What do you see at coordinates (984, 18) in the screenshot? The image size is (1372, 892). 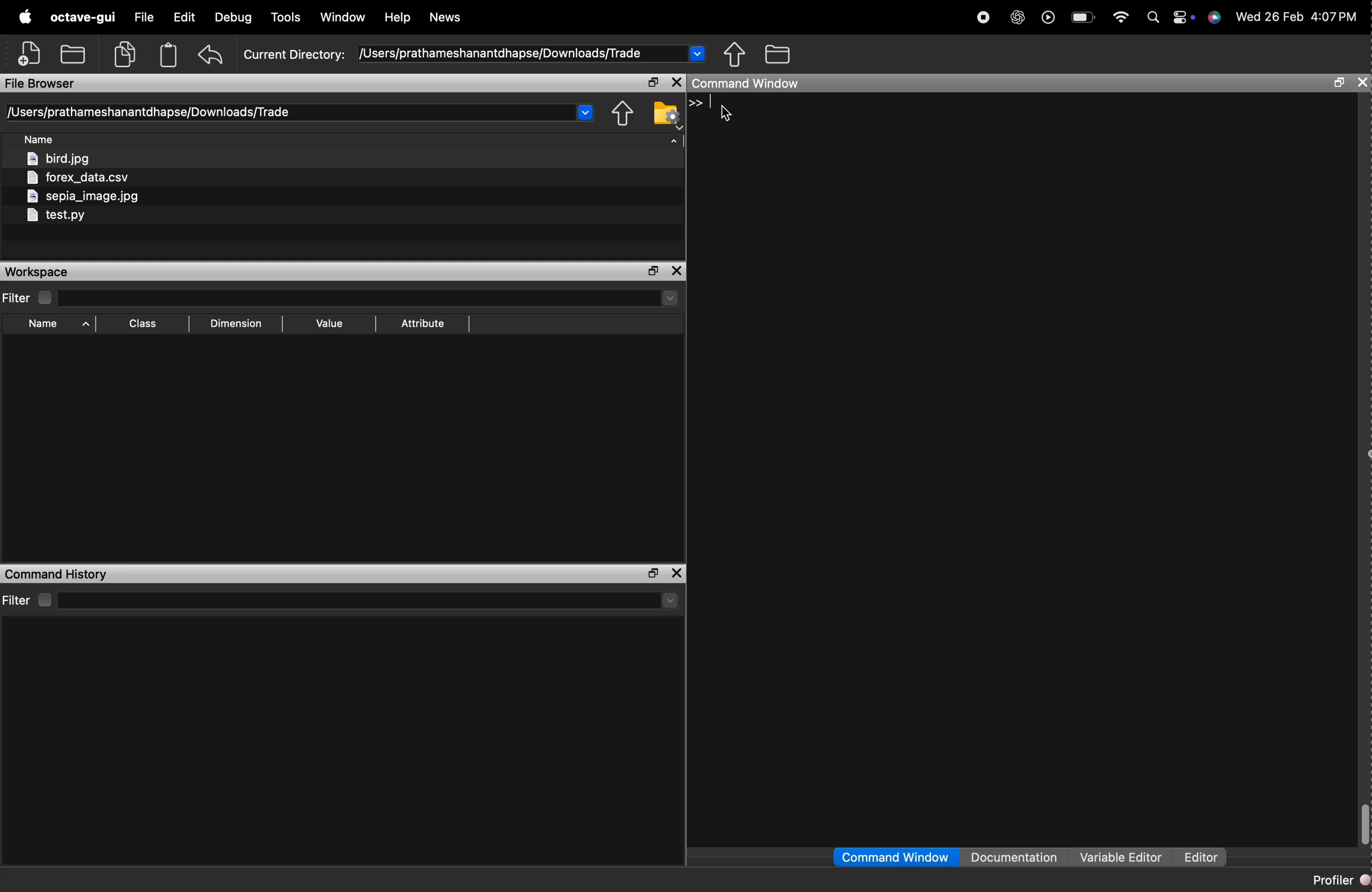 I see `stop recording` at bounding box center [984, 18].